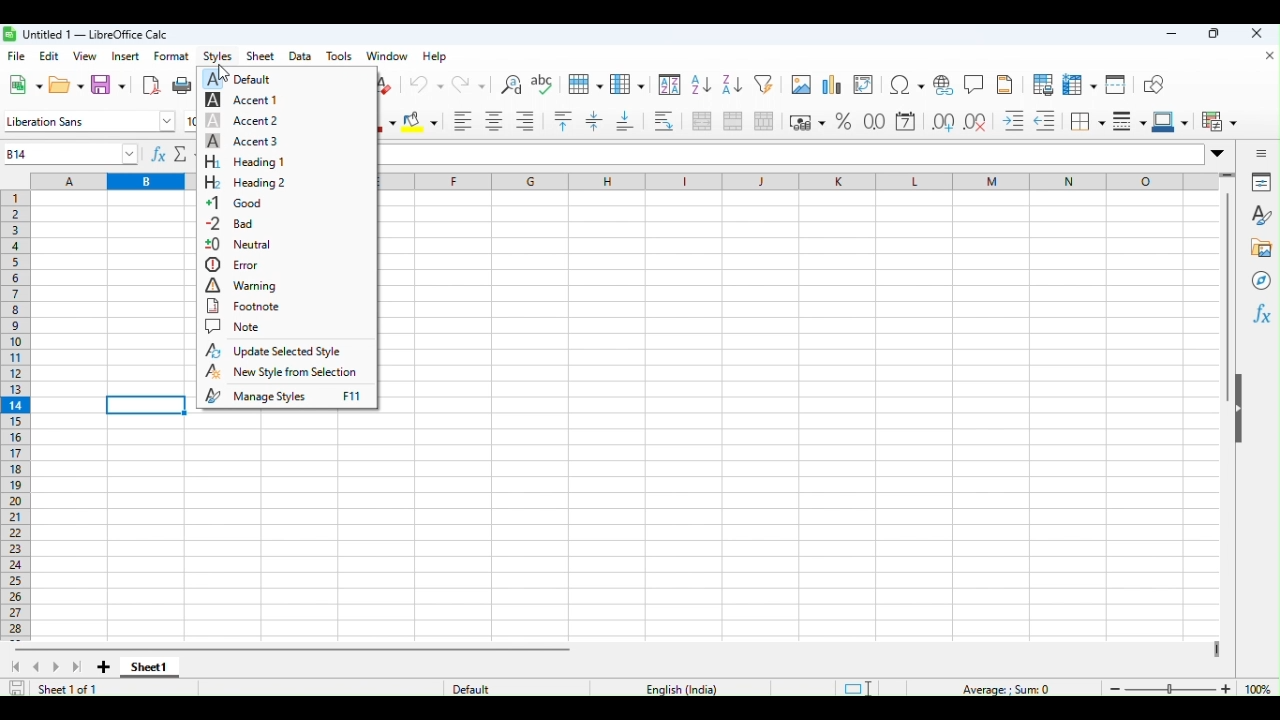 The width and height of the screenshot is (1280, 720). What do you see at coordinates (1152, 86) in the screenshot?
I see `Show draw function` at bounding box center [1152, 86].